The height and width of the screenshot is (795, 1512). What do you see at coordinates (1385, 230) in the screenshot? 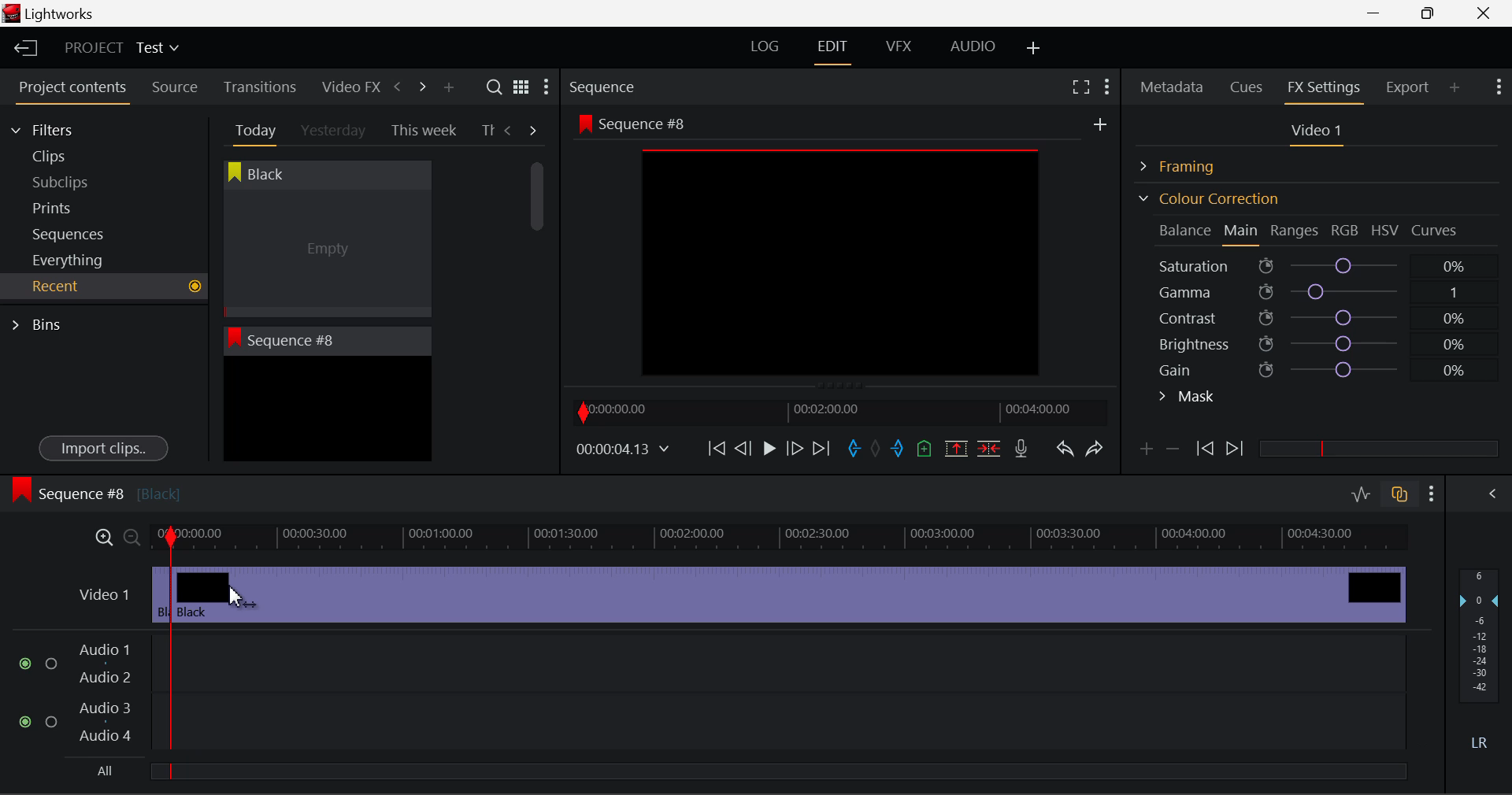
I see `HSV` at bounding box center [1385, 230].